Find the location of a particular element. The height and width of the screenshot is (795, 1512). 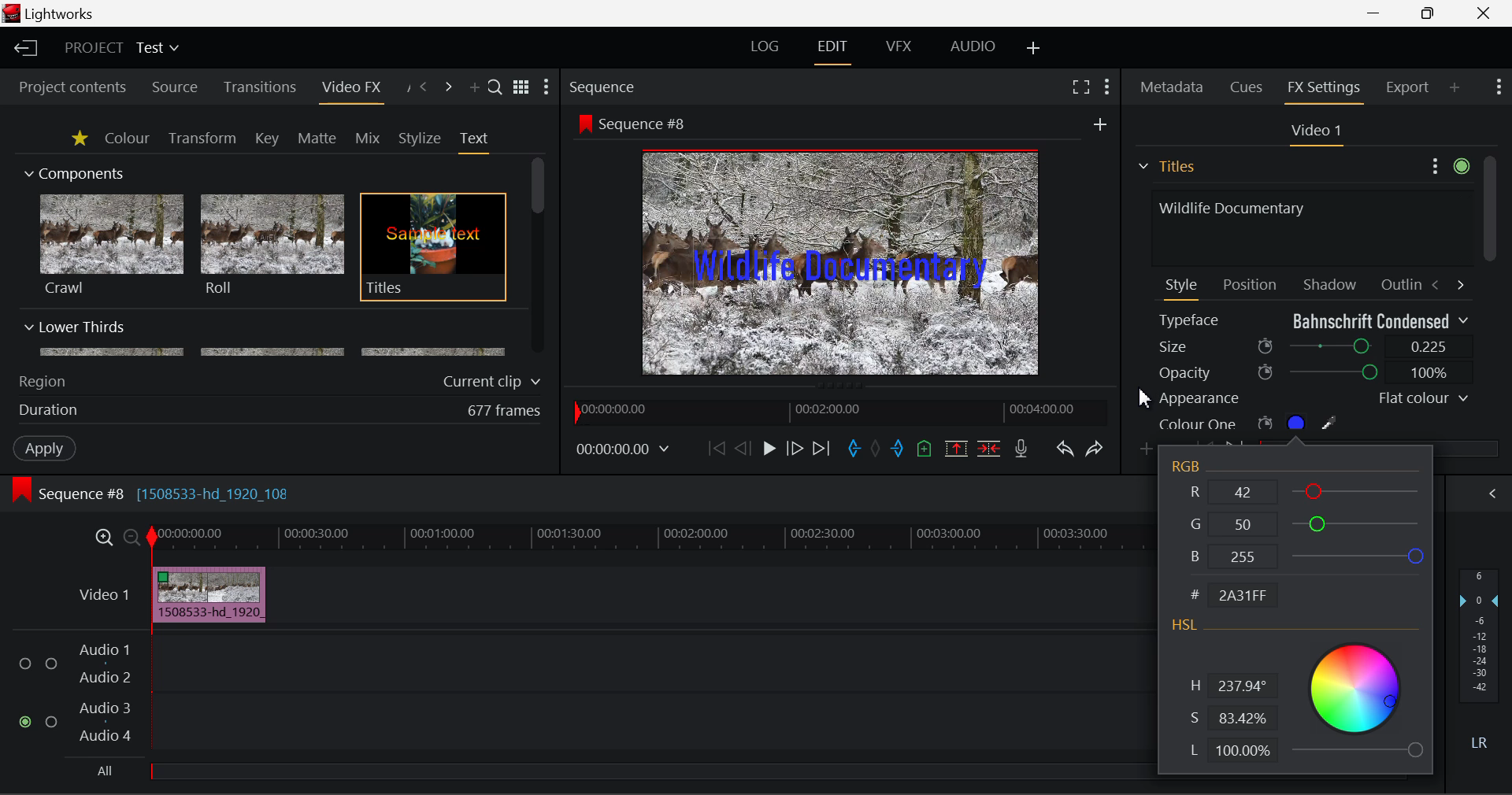

Outline is located at coordinates (1399, 283).